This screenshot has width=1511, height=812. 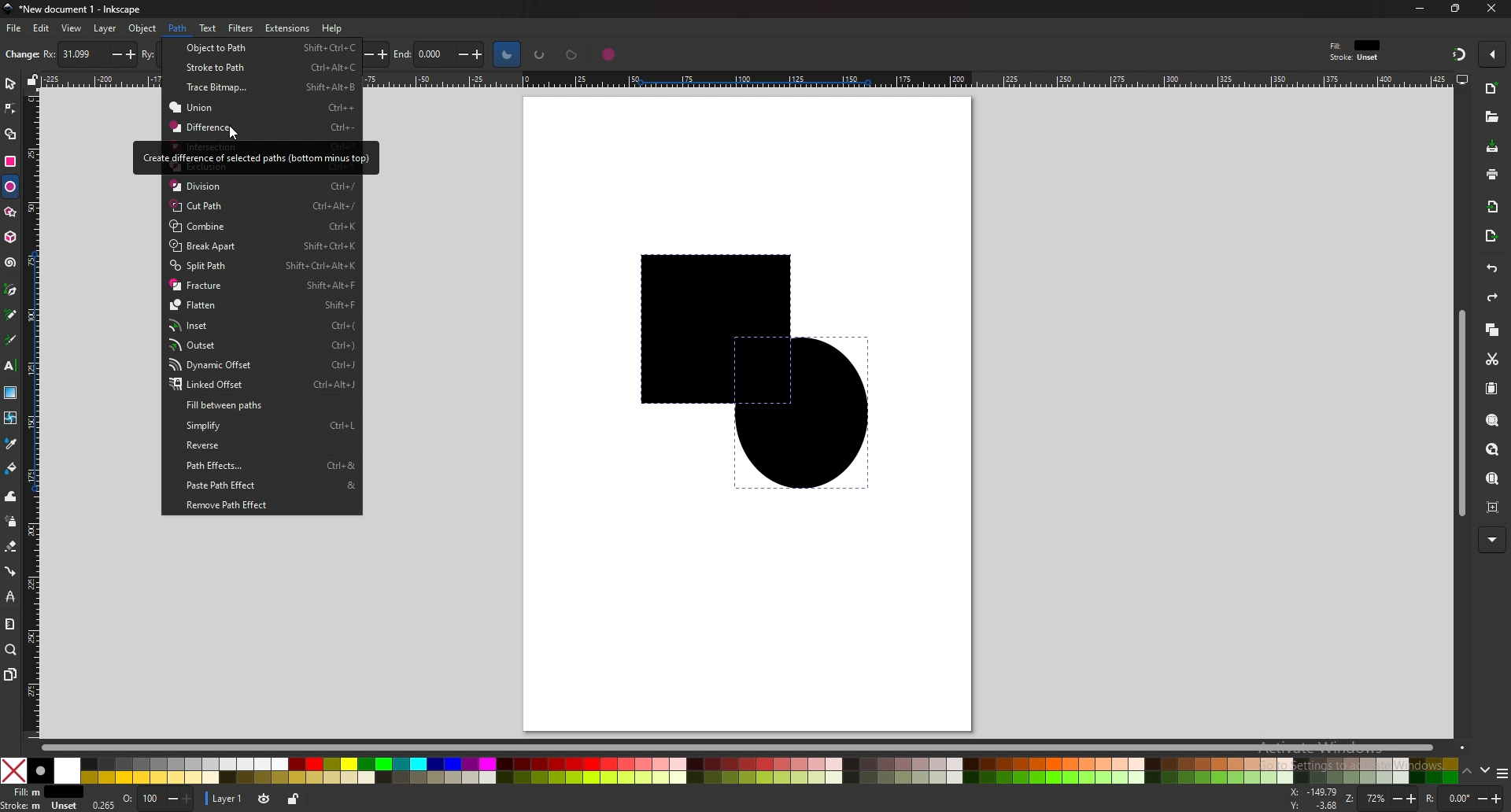 What do you see at coordinates (241, 28) in the screenshot?
I see `filters` at bounding box center [241, 28].